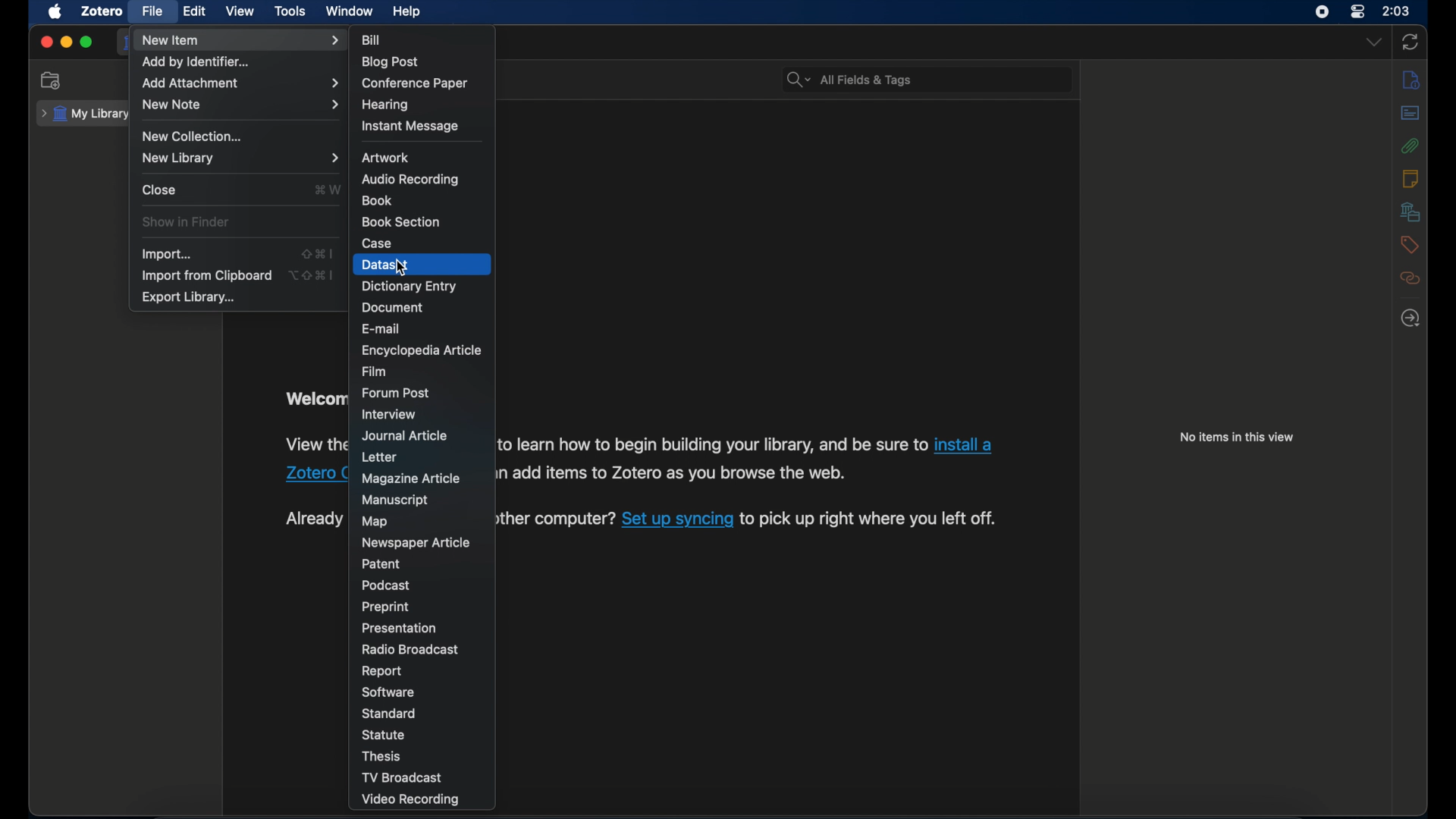  Describe the element at coordinates (400, 268) in the screenshot. I see `cursor` at that location.